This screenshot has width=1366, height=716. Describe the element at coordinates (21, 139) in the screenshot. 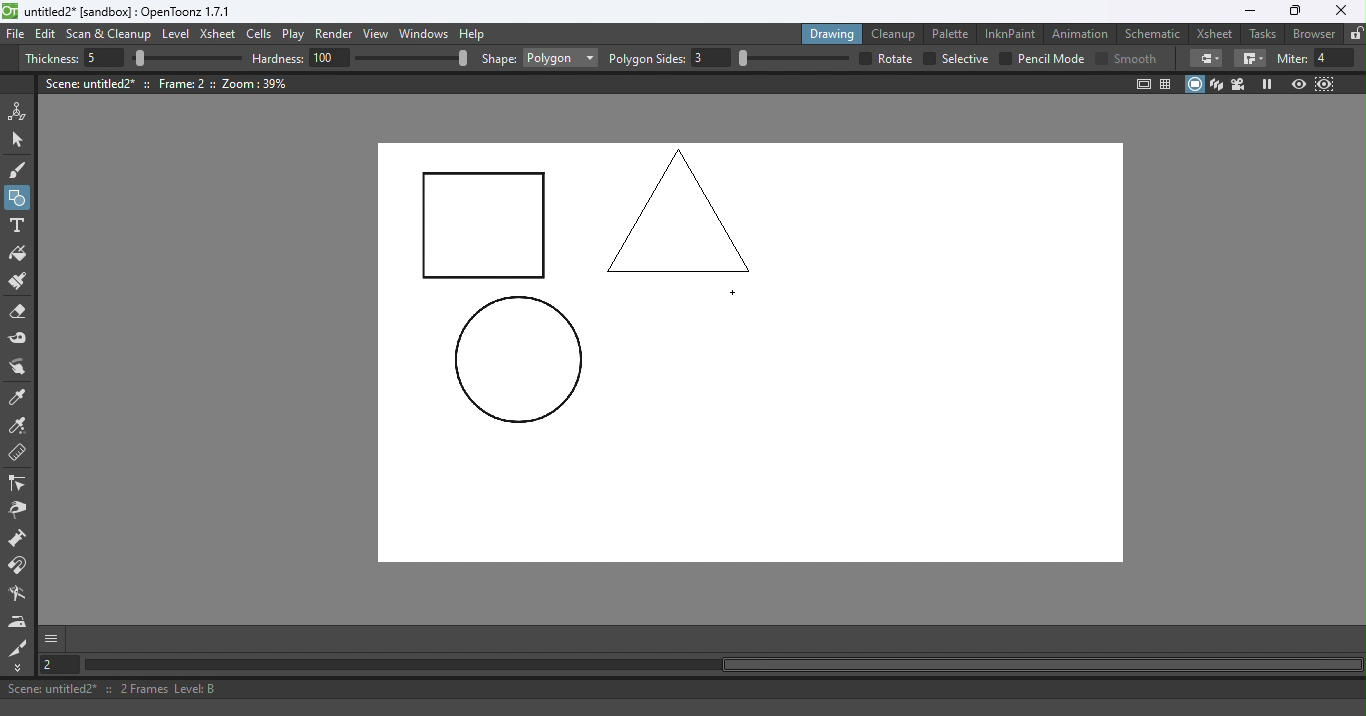

I see `Selection tool` at that location.